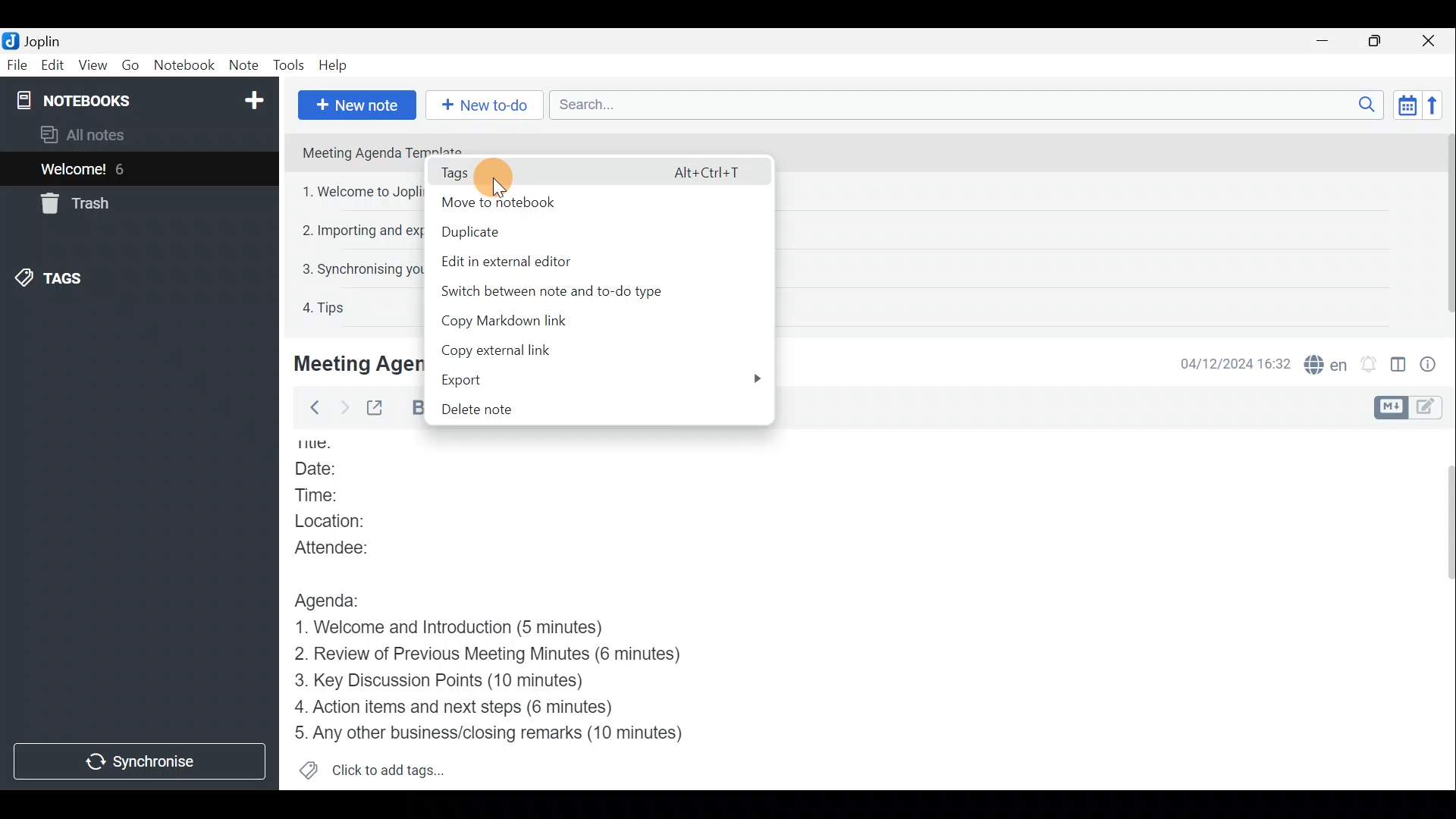  Describe the element at coordinates (595, 171) in the screenshot. I see `Tags   Alt+Ctrl+T` at that location.